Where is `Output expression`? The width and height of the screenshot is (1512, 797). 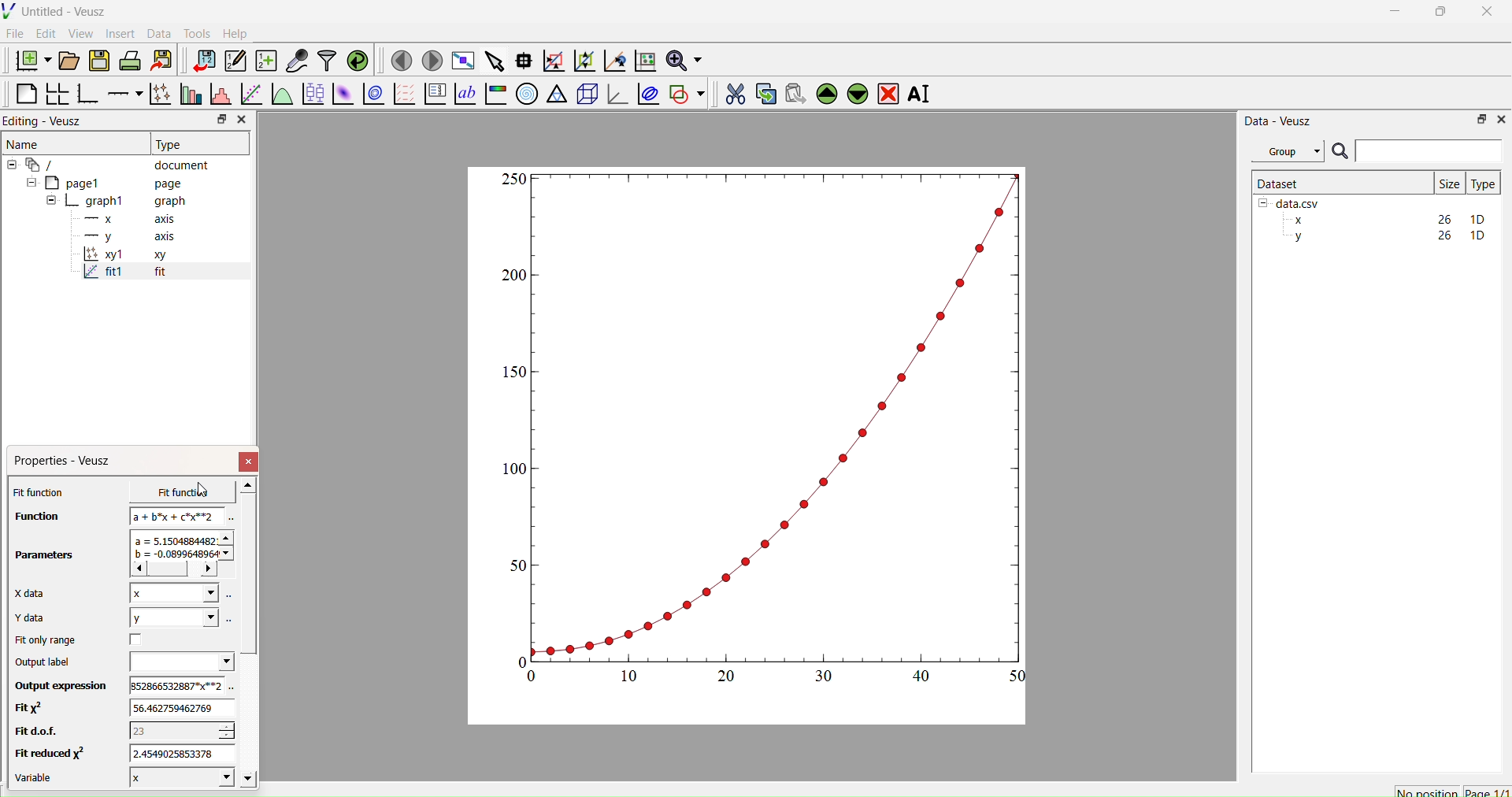
Output expression is located at coordinates (60, 686).